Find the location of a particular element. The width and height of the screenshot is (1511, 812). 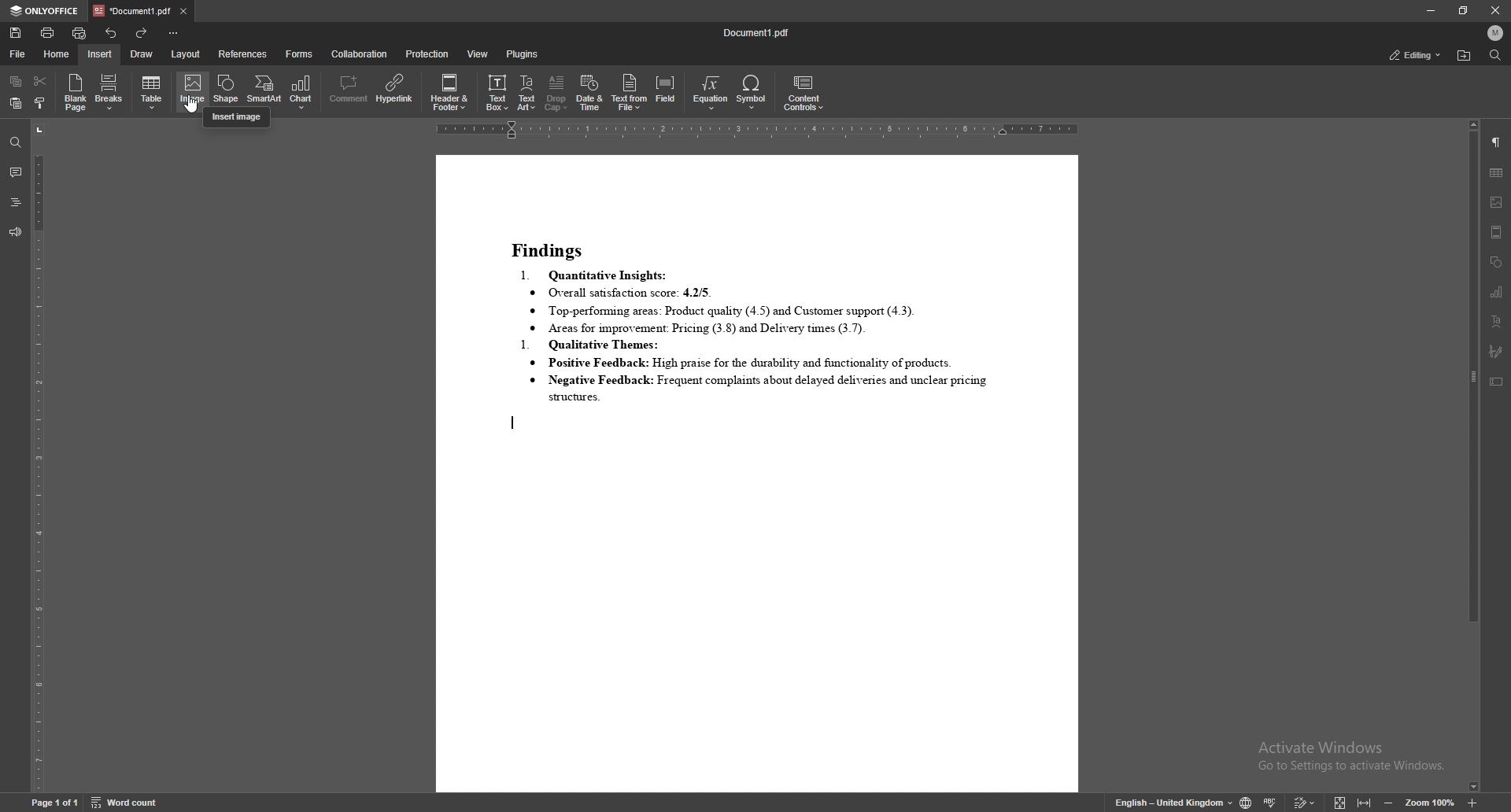

image is located at coordinates (194, 92).